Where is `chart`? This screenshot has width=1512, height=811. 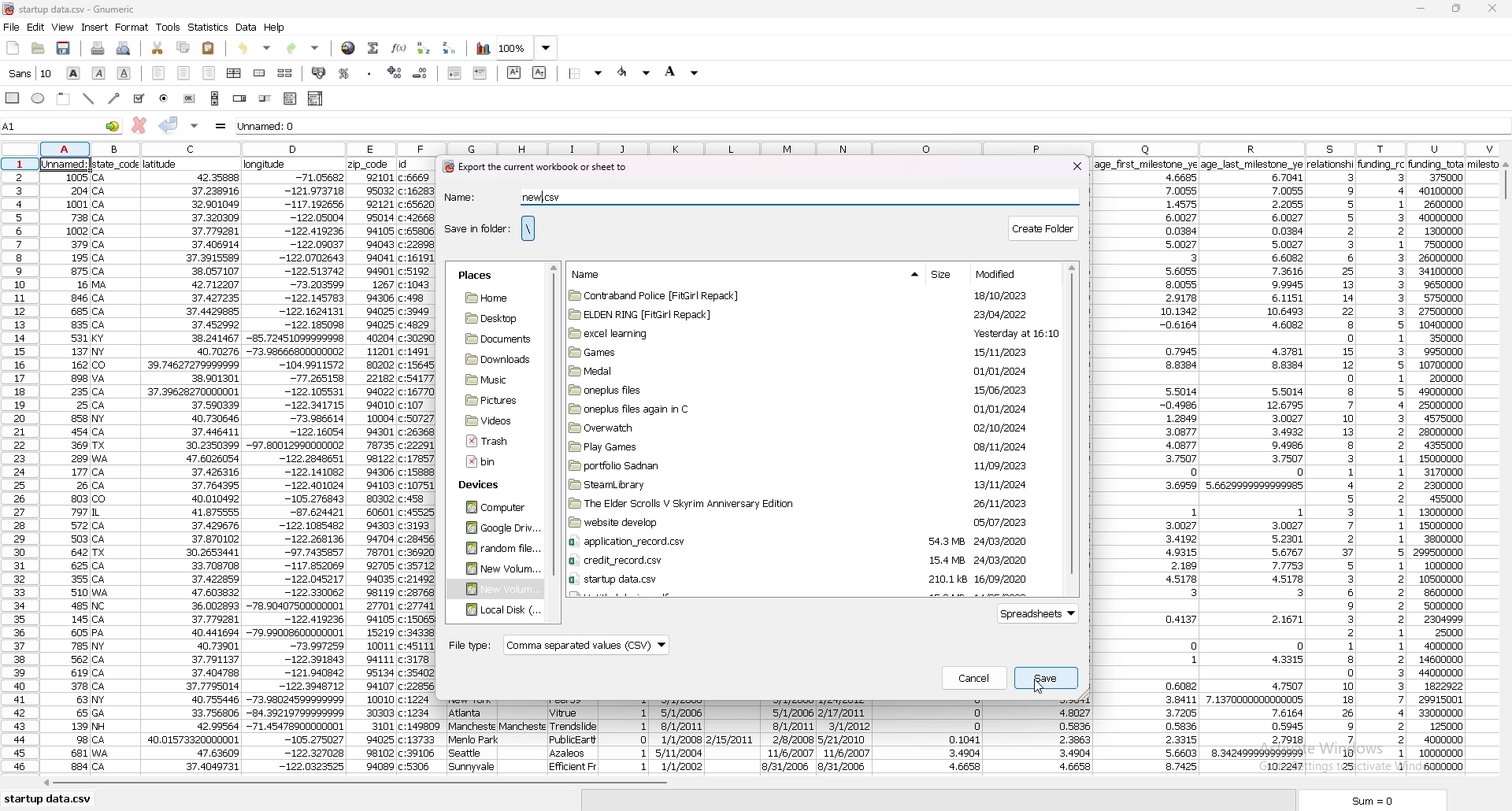
chart is located at coordinates (484, 49).